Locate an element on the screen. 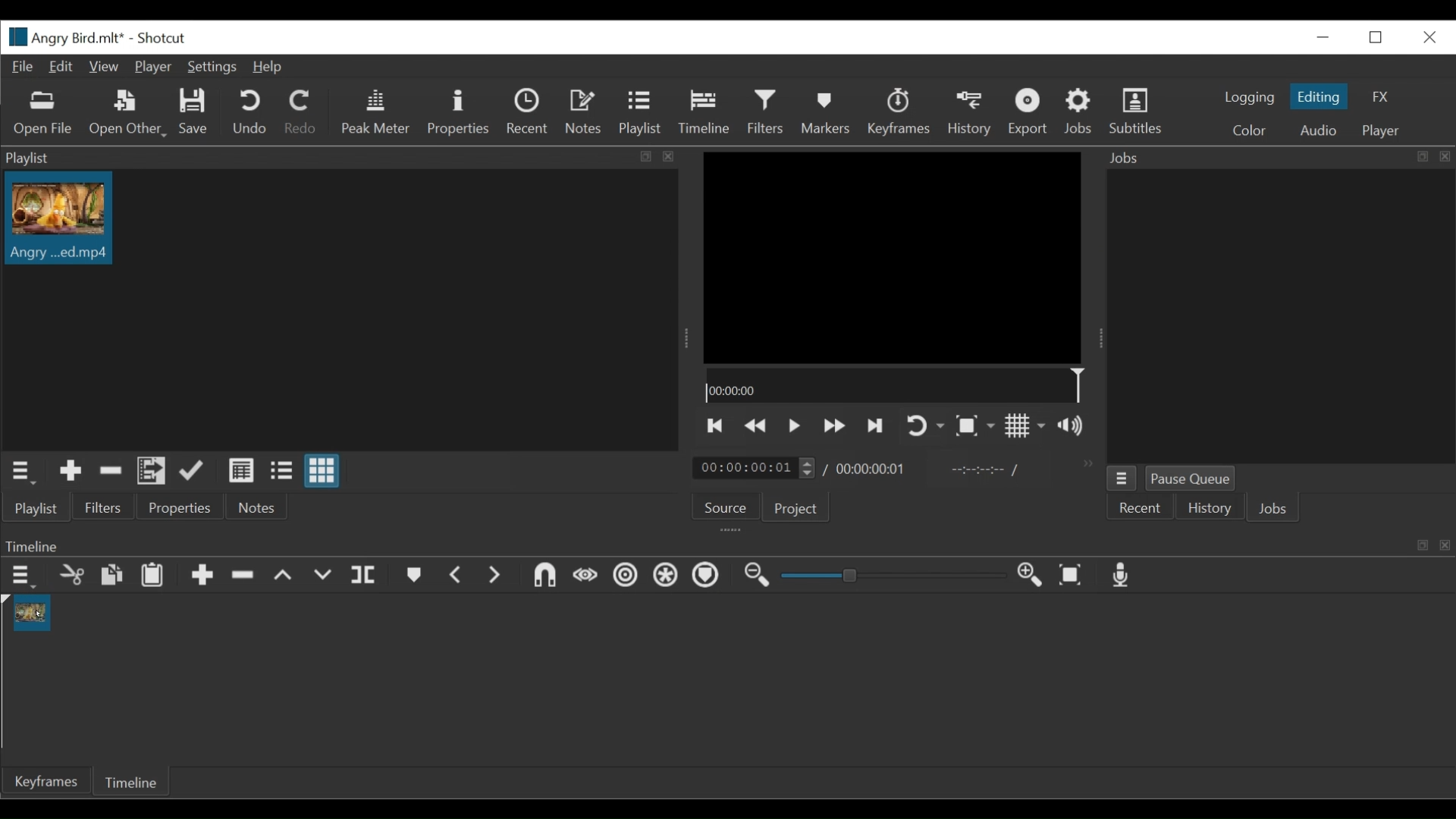 This screenshot has height=819, width=1456. Undo is located at coordinates (252, 113).